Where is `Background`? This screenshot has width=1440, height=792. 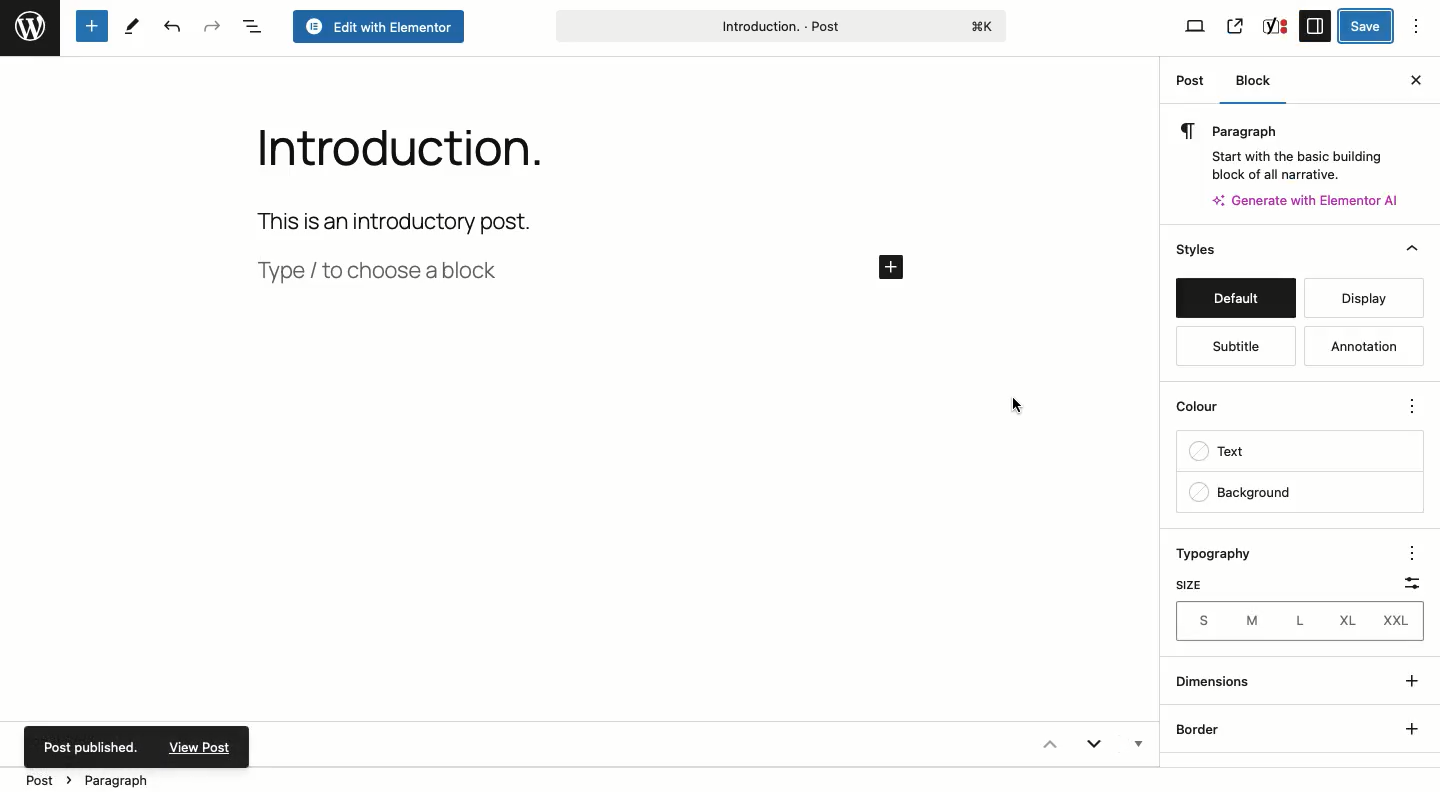
Background is located at coordinates (1241, 493).